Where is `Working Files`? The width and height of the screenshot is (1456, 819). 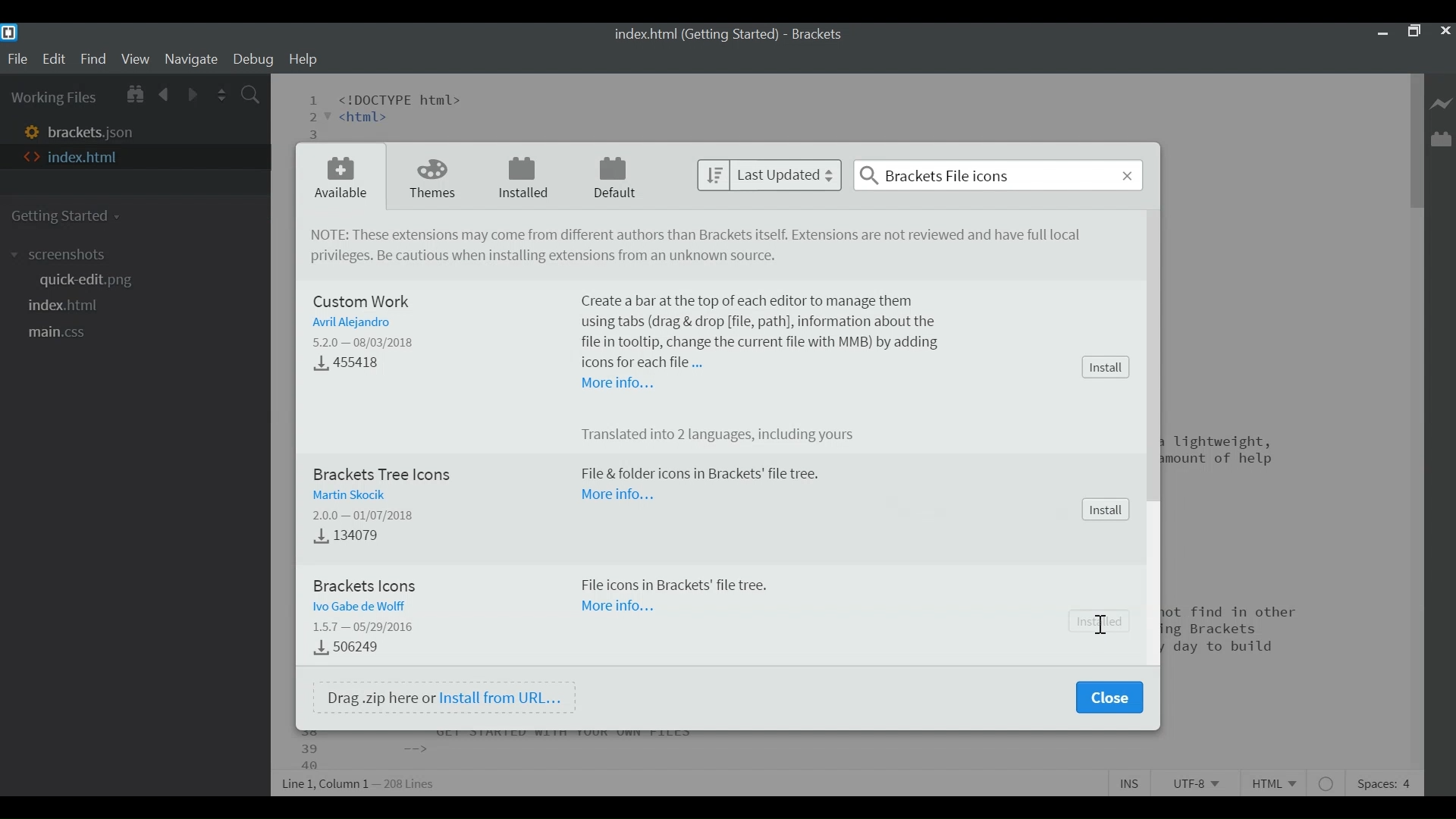 Working Files is located at coordinates (54, 96).